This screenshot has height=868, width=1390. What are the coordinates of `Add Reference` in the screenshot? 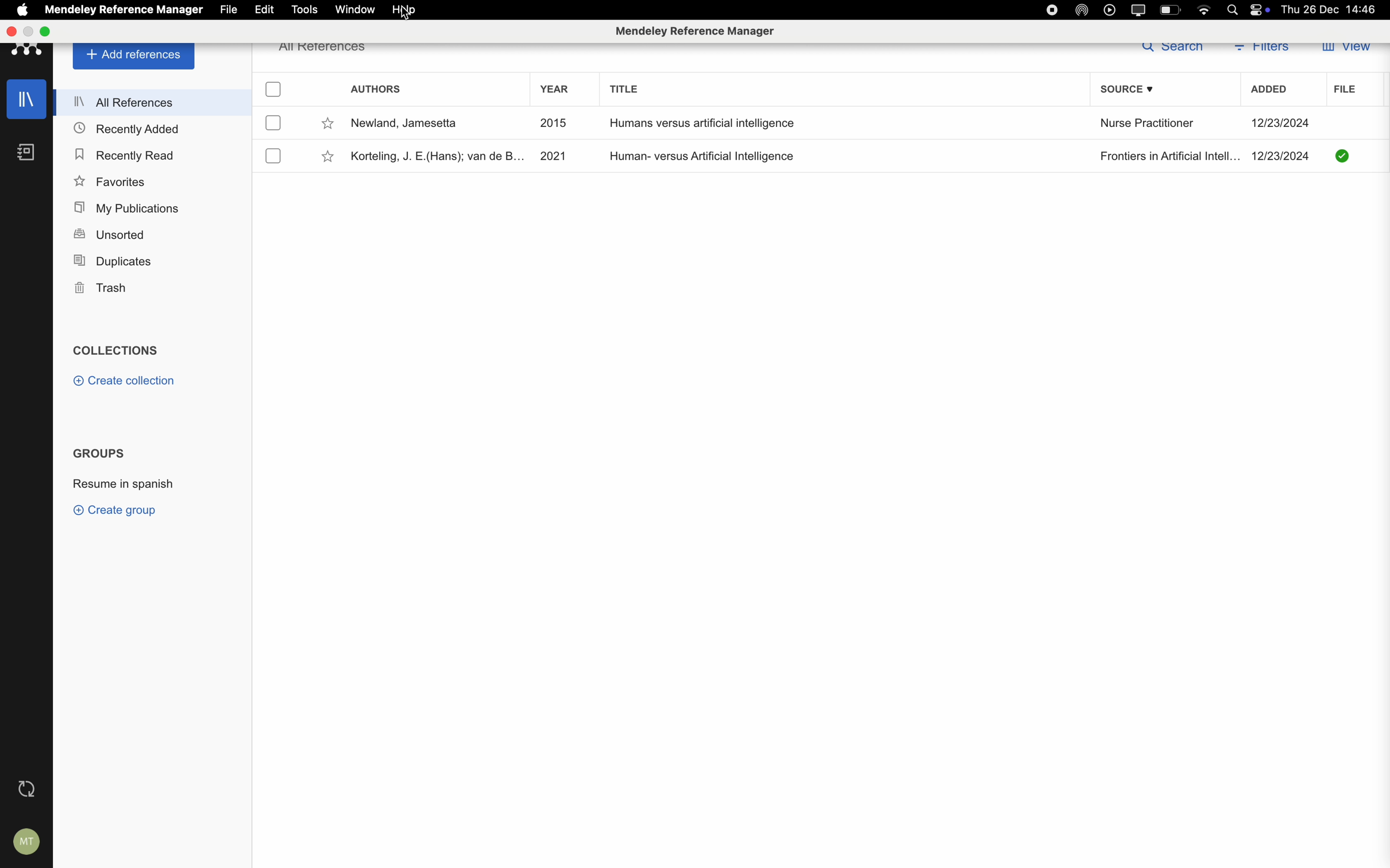 It's located at (134, 57).